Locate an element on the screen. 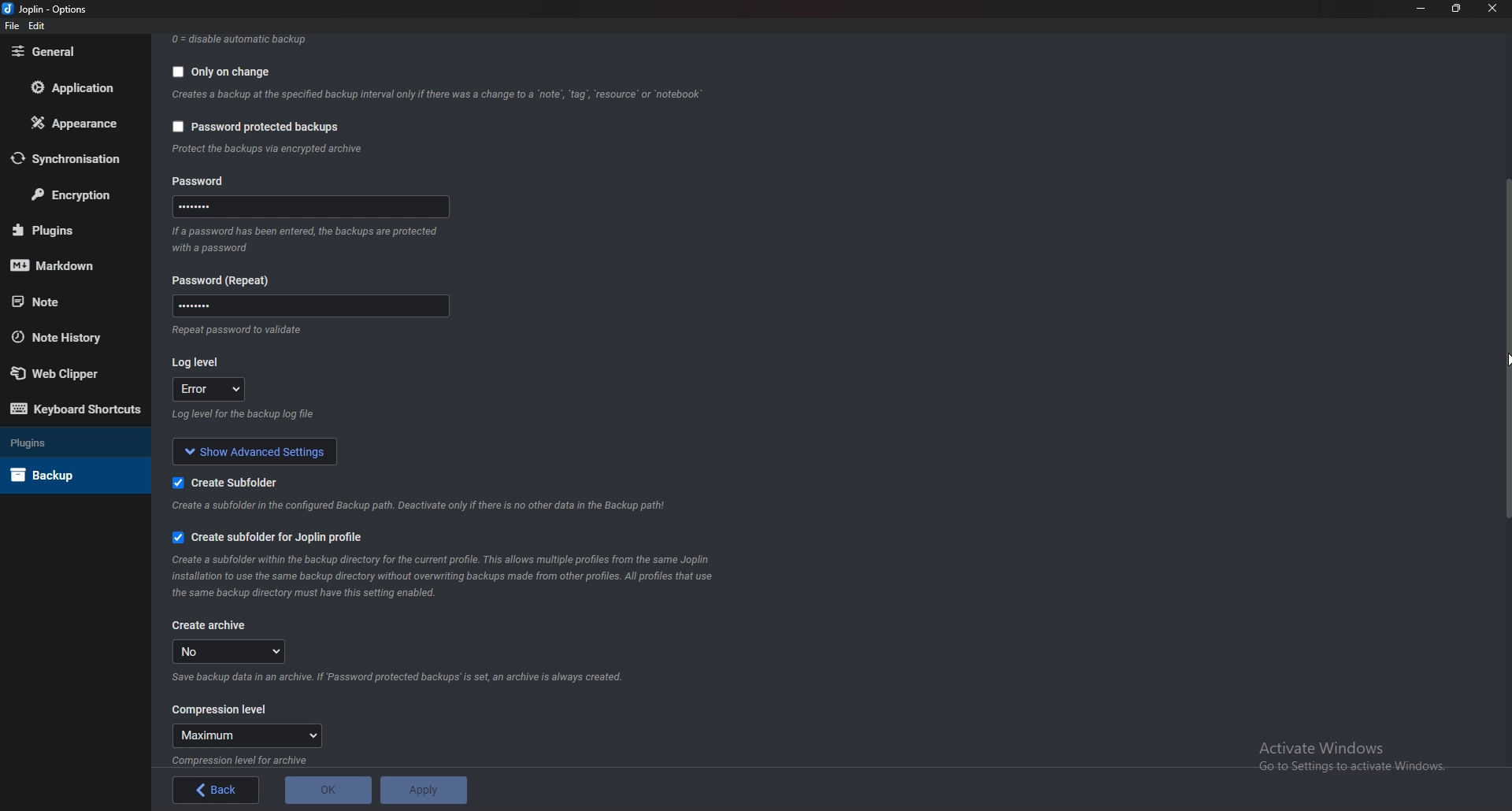 This screenshot has width=1512, height=811. Maximum is located at coordinates (250, 736).